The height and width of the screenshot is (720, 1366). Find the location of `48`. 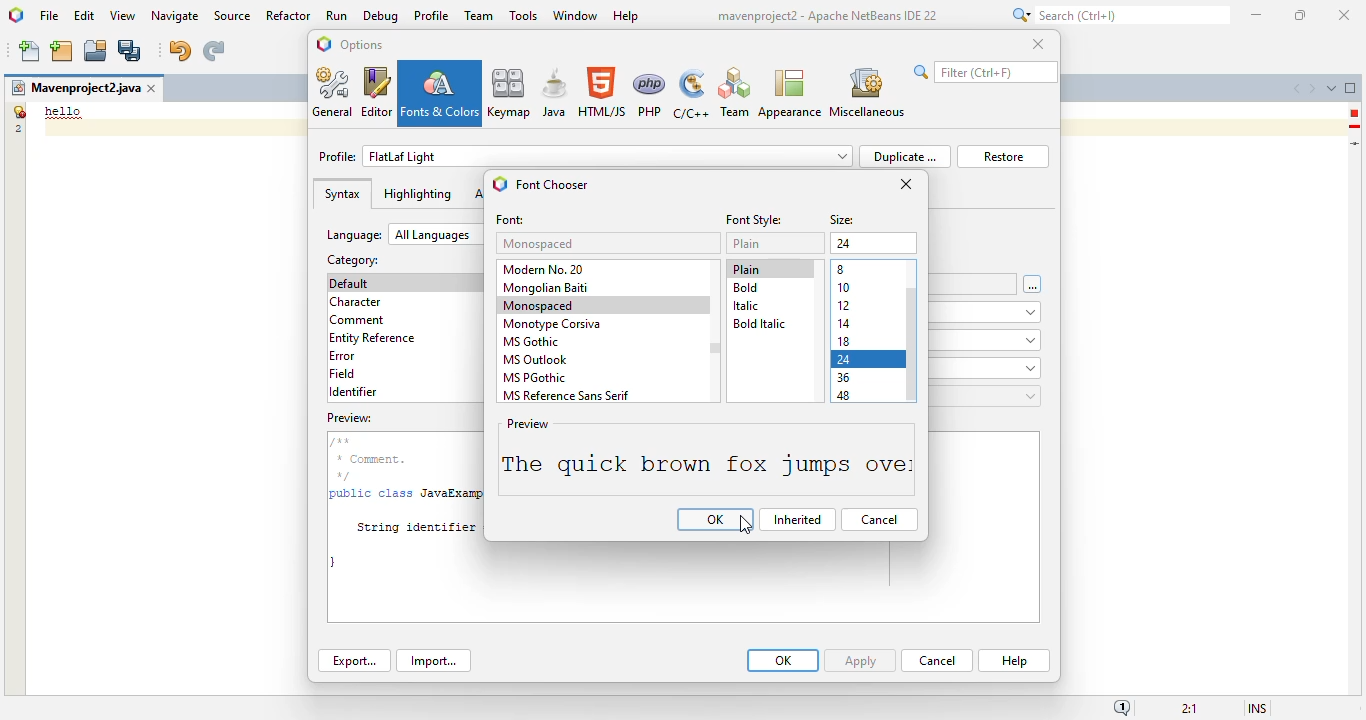

48 is located at coordinates (844, 397).